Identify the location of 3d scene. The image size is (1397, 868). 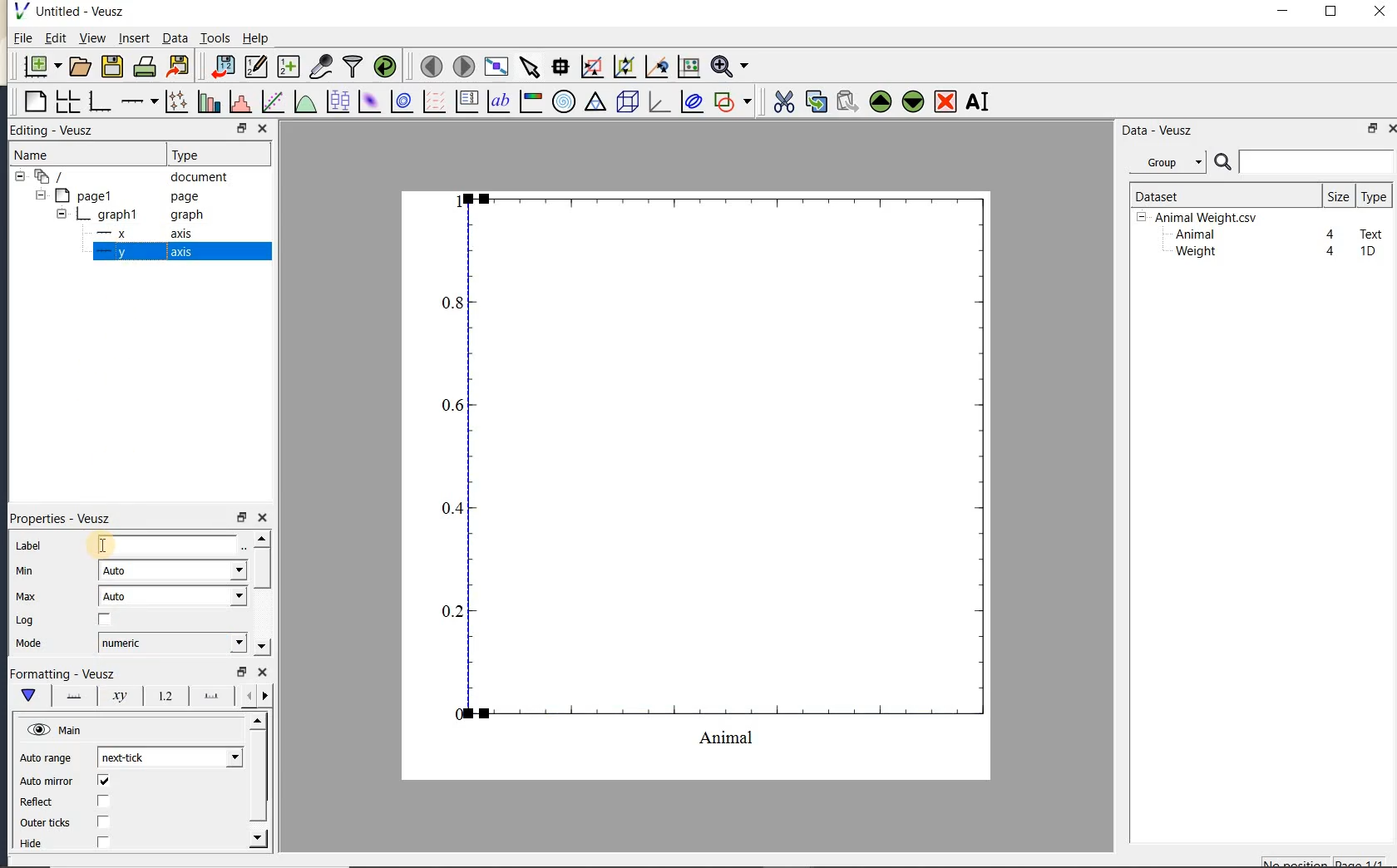
(625, 102).